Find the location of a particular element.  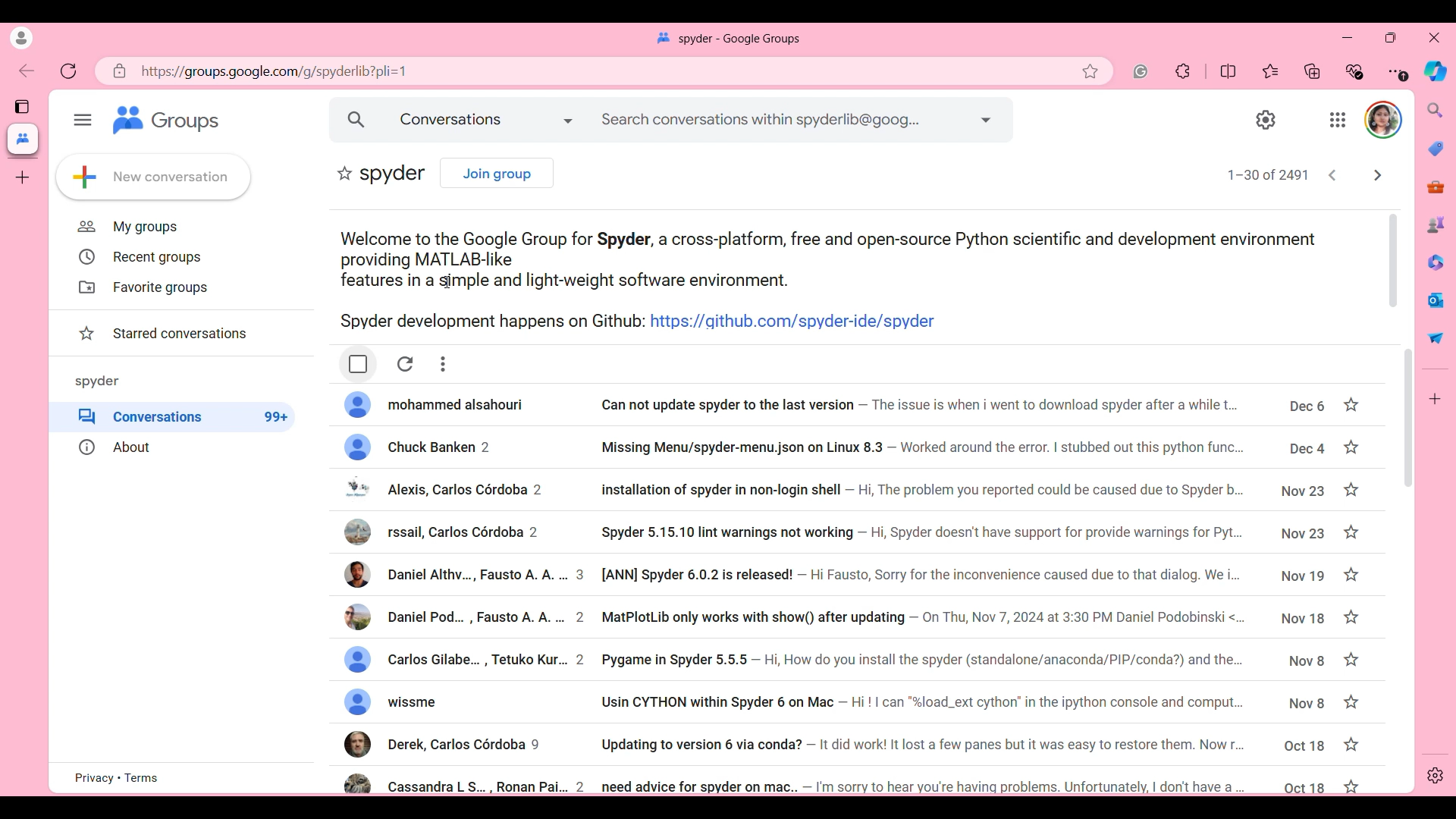

Tools is located at coordinates (1436, 187).